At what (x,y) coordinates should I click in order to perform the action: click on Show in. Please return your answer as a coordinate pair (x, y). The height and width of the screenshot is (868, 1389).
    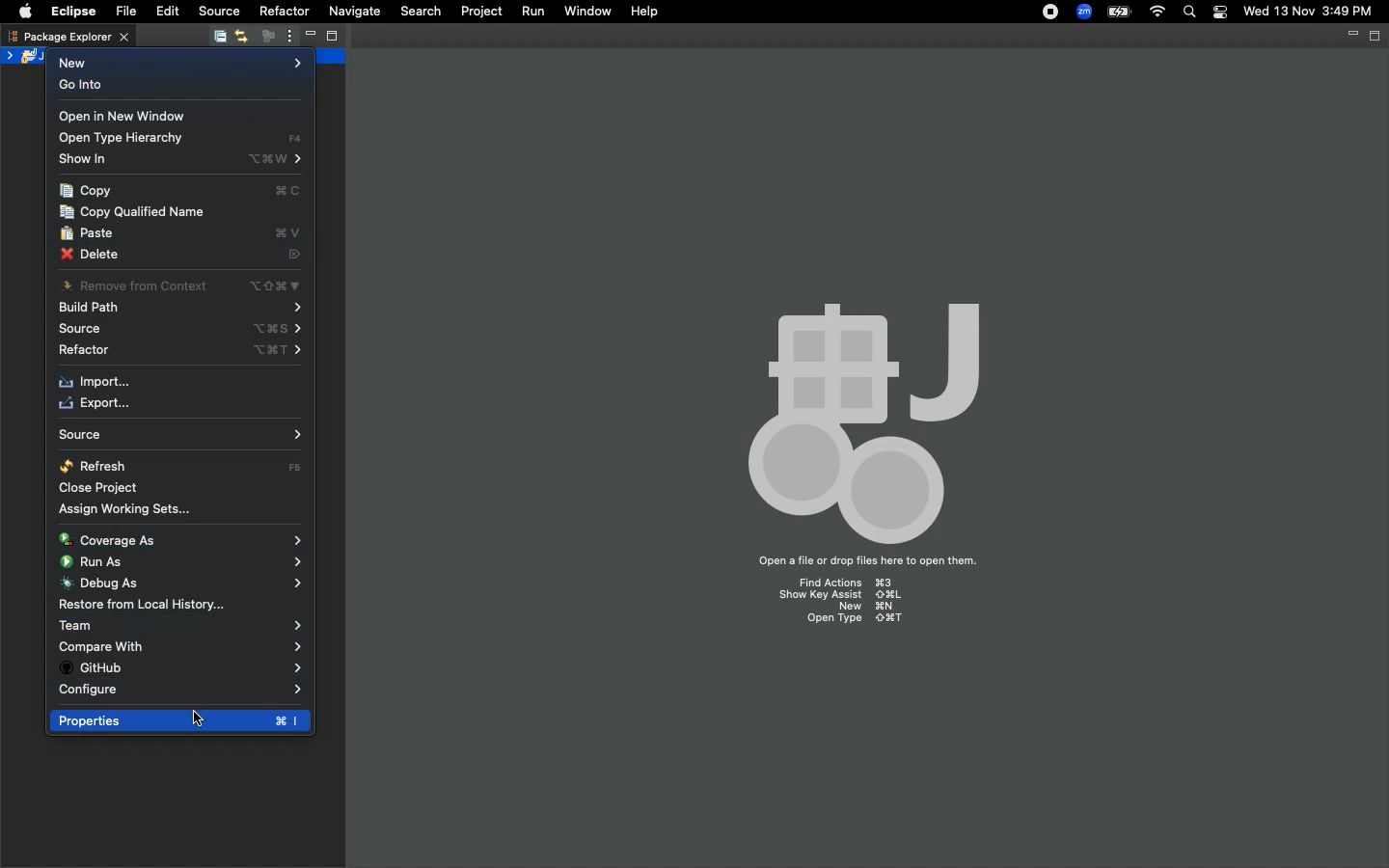
    Looking at the image, I should click on (181, 158).